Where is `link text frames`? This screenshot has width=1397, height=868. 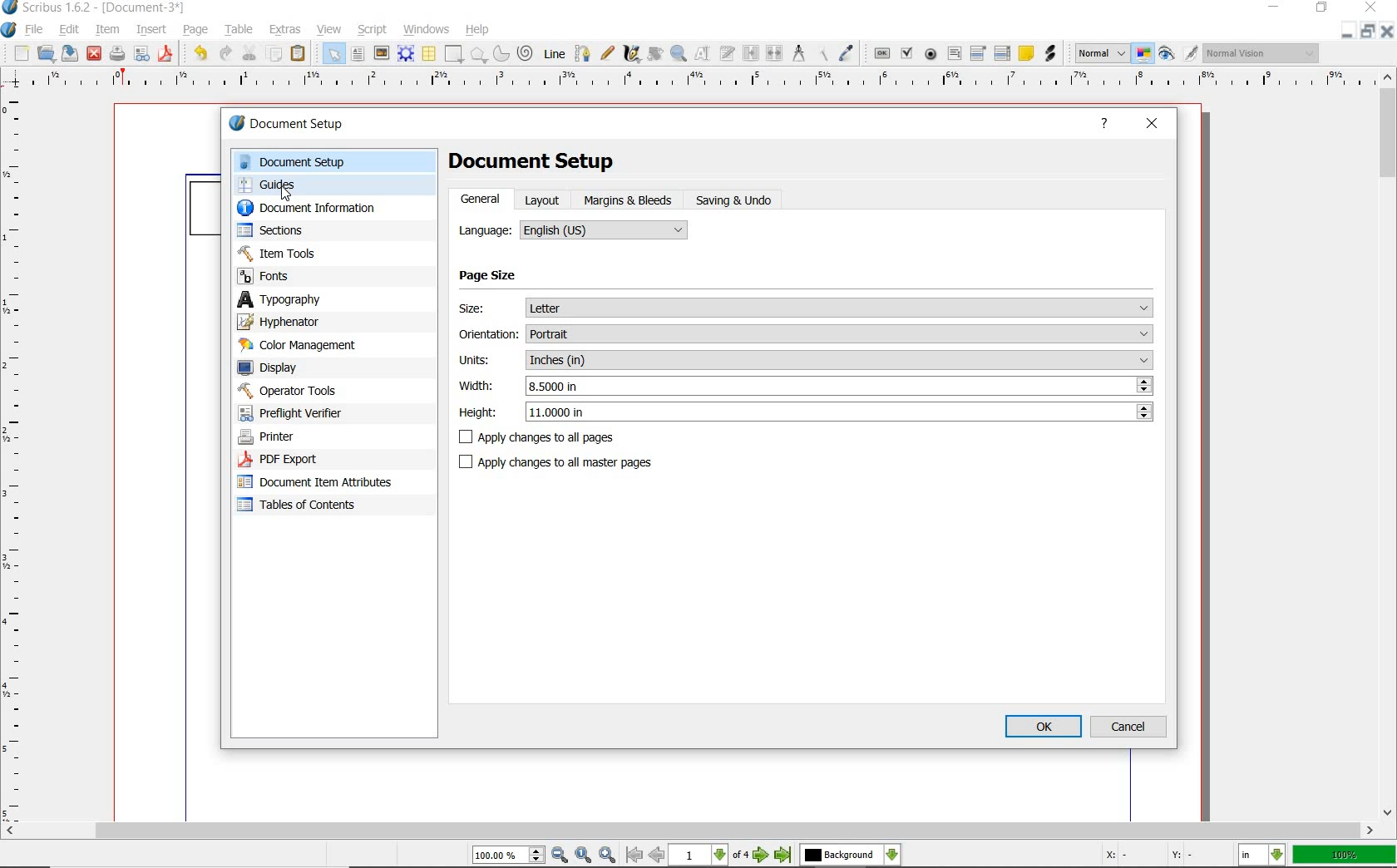 link text frames is located at coordinates (751, 53).